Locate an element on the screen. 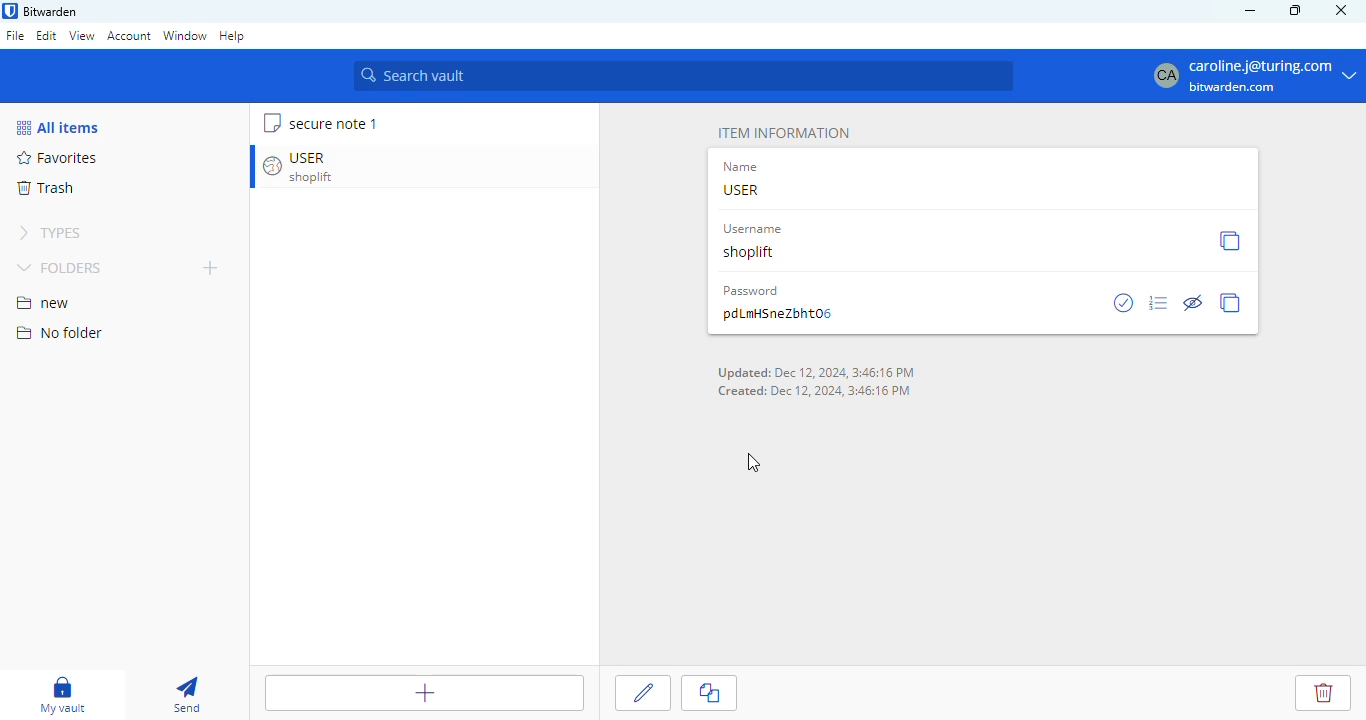 The width and height of the screenshot is (1366, 720). USER is located at coordinates (744, 189).